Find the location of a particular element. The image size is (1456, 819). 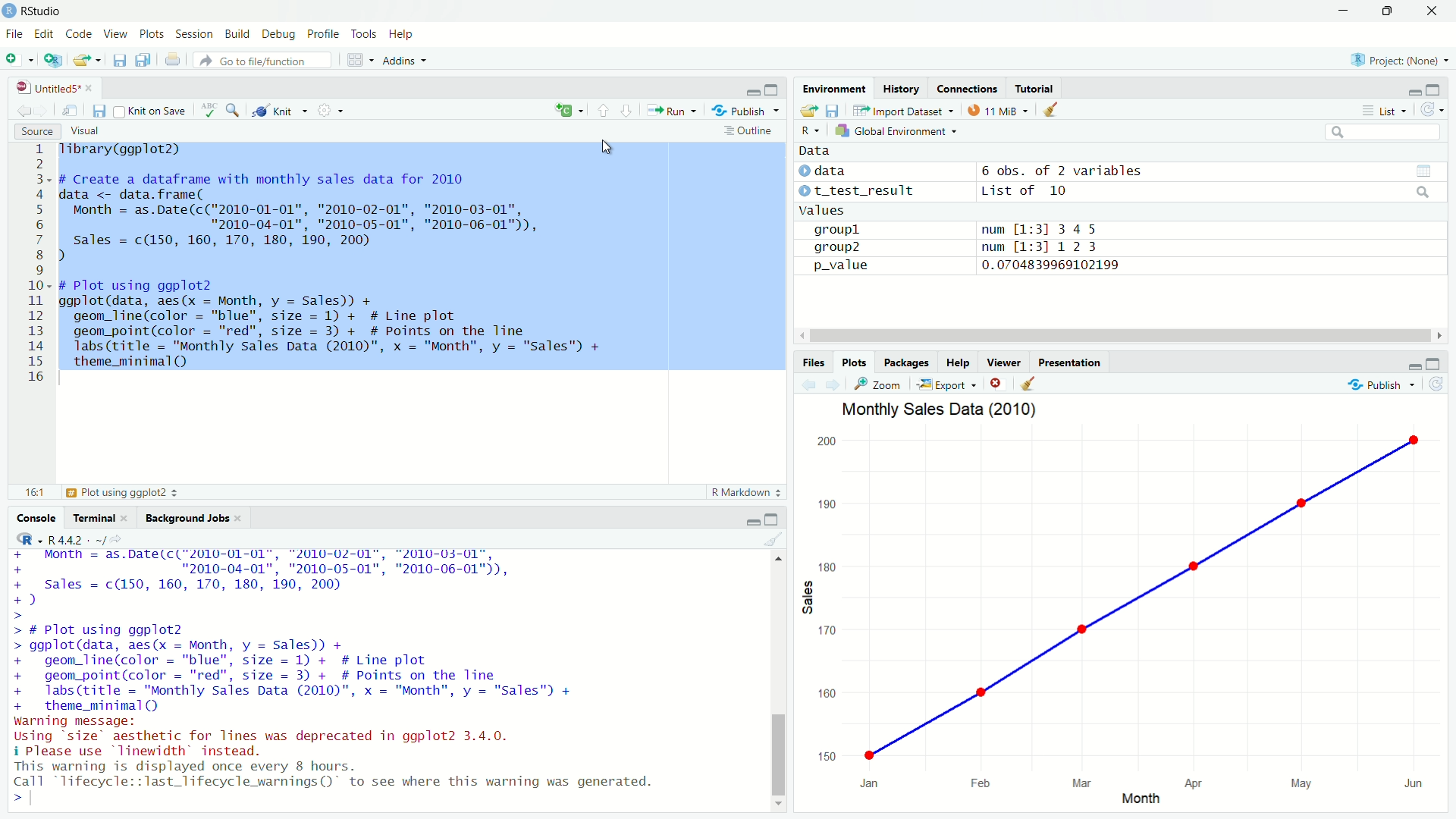

cursor is located at coordinates (611, 150).